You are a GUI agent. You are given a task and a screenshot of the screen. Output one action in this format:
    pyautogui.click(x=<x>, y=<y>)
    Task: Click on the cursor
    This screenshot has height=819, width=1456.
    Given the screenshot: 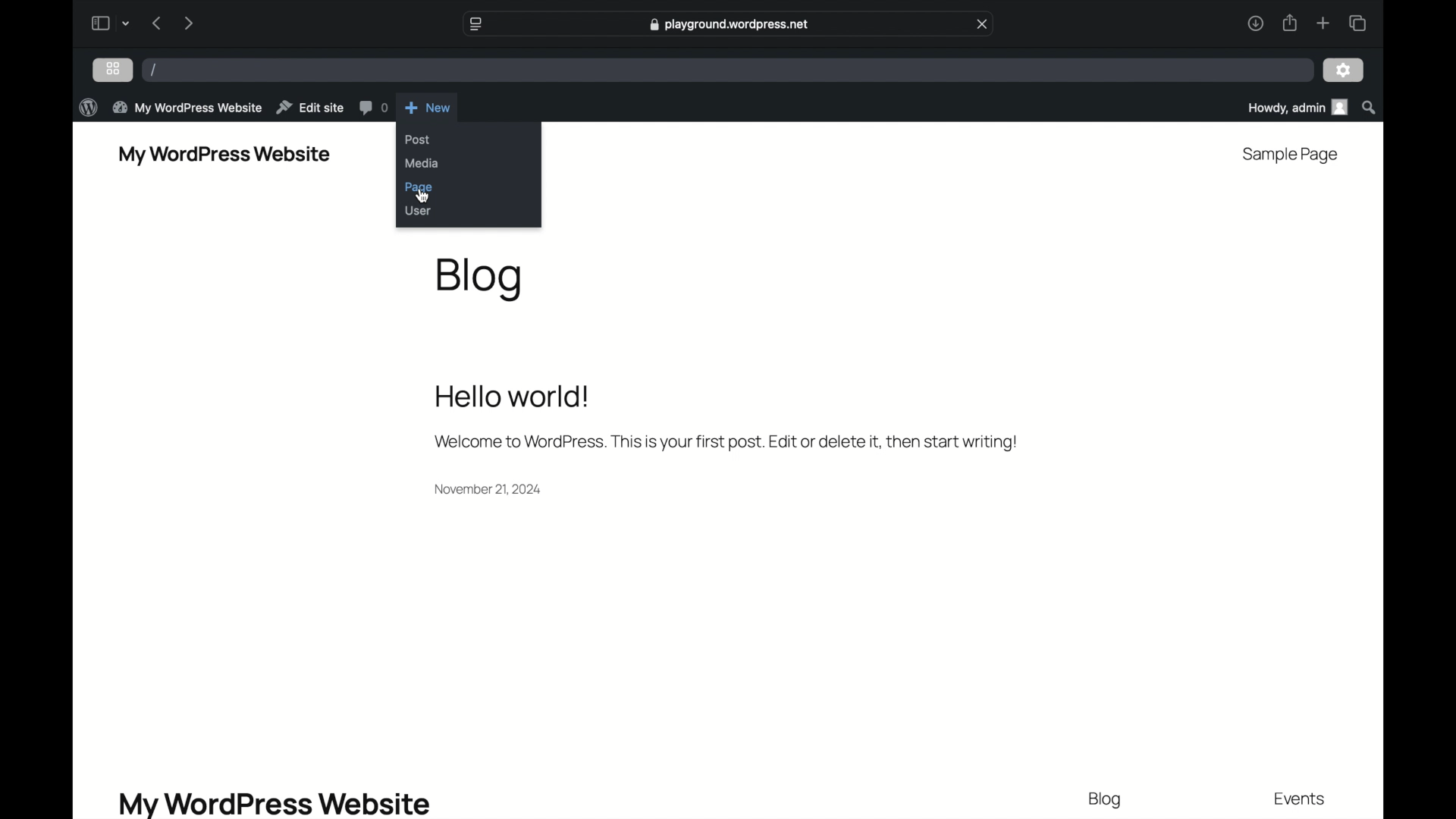 What is the action you would take?
    pyautogui.click(x=423, y=196)
    